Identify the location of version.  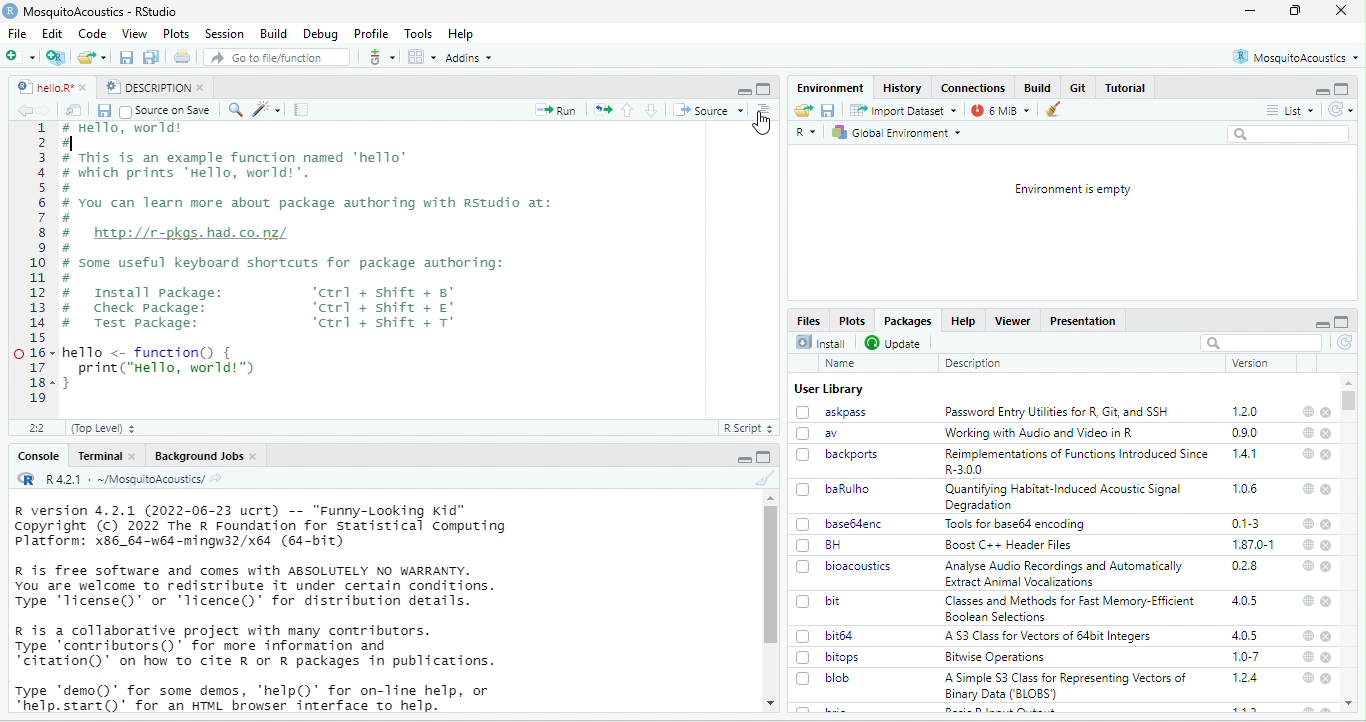
(1248, 363).